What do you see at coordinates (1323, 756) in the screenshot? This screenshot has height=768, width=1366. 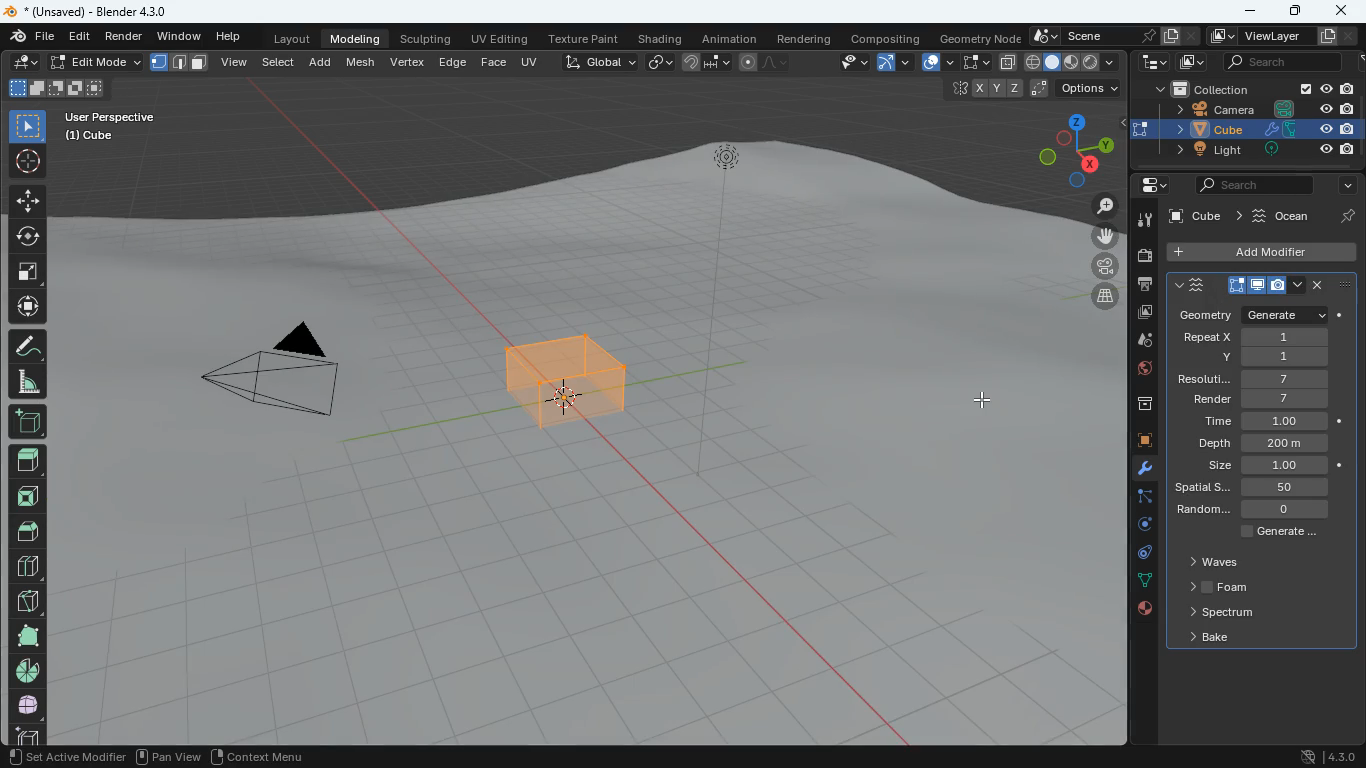 I see `4.3.0` at bounding box center [1323, 756].